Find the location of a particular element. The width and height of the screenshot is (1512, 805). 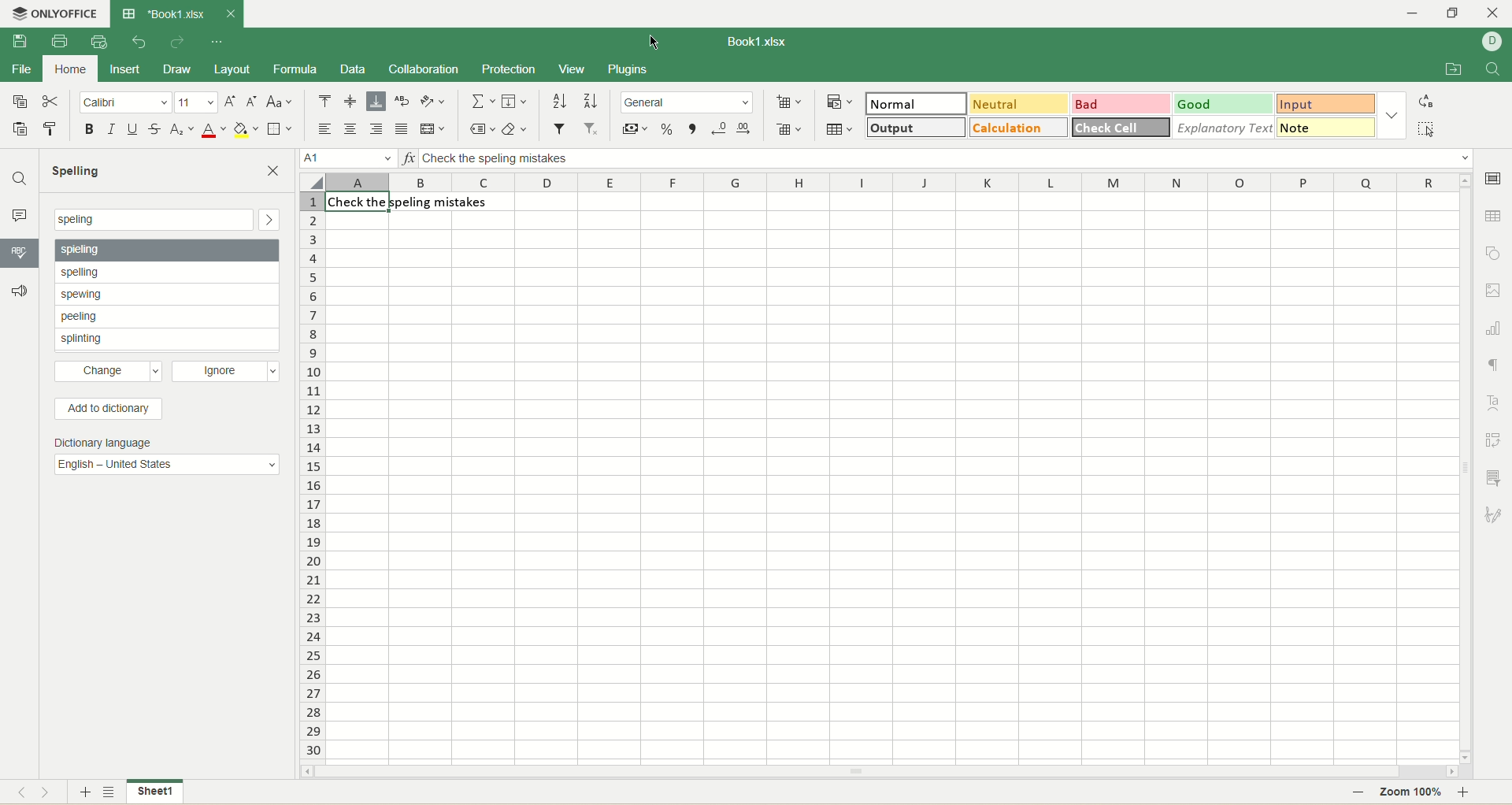

good is located at coordinates (1223, 104).